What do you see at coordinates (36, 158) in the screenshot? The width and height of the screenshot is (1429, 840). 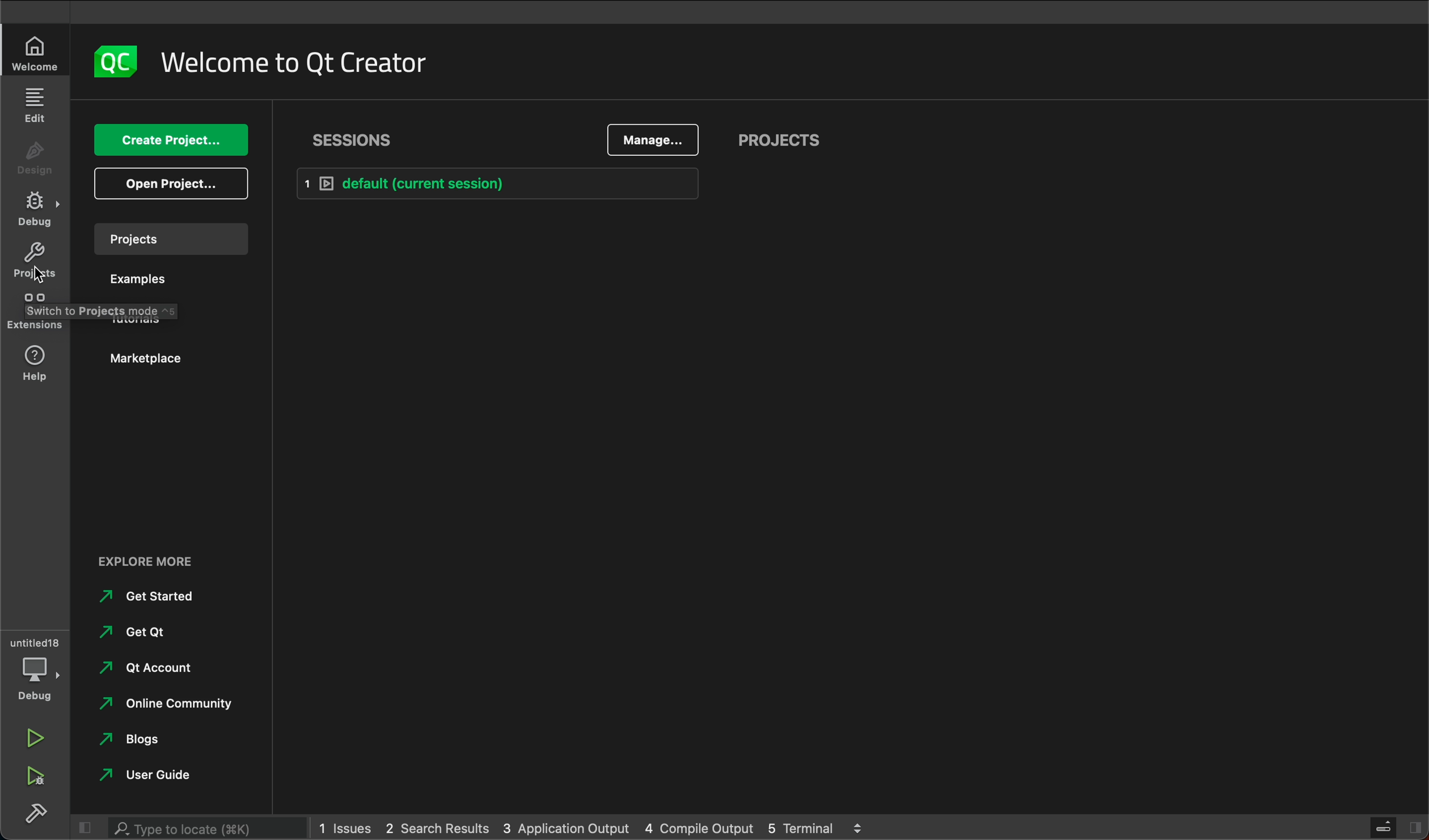 I see `design` at bounding box center [36, 158].